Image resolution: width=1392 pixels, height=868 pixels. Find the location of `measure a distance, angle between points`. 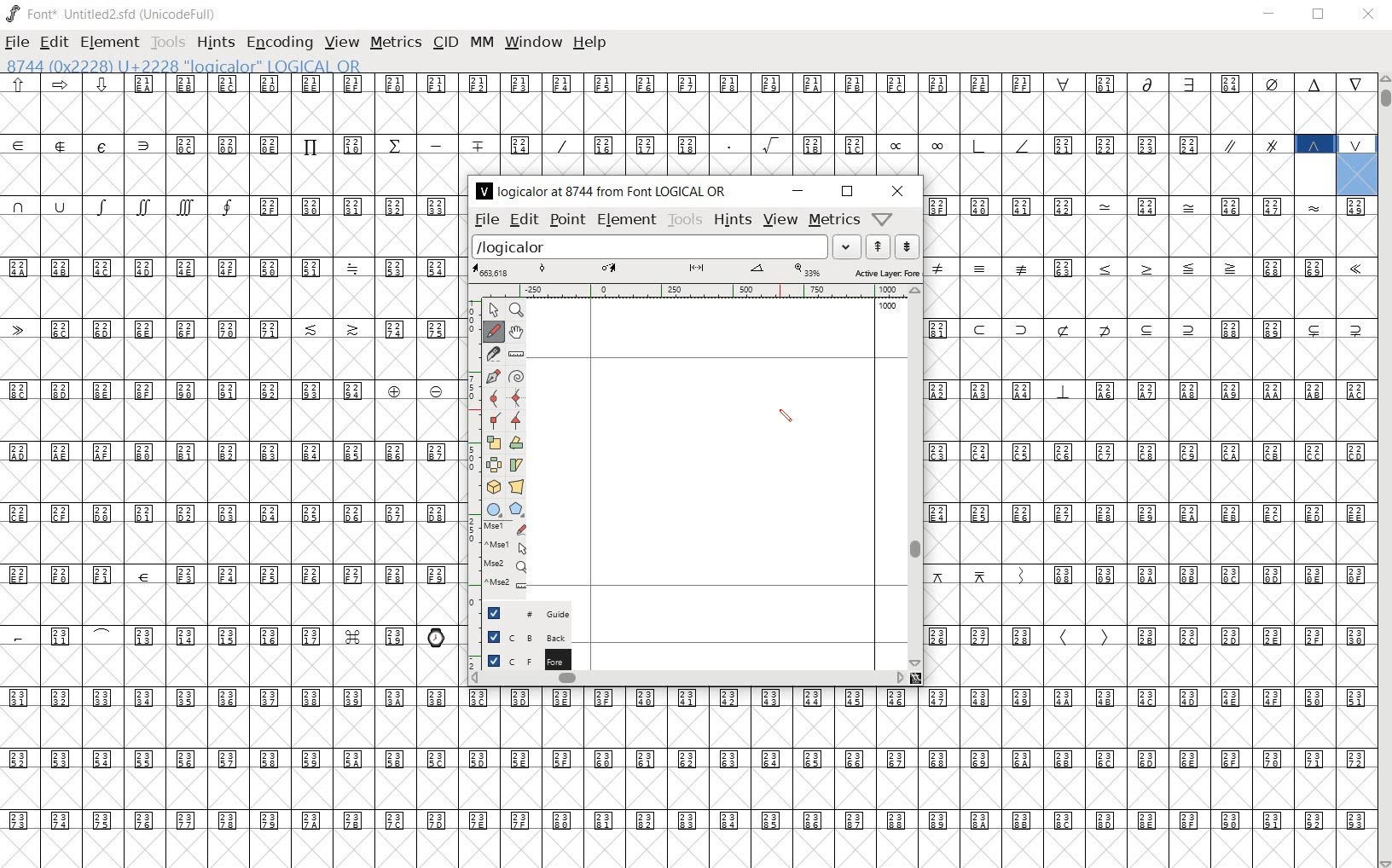

measure a distance, angle between points is located at coordinates (516, 354).